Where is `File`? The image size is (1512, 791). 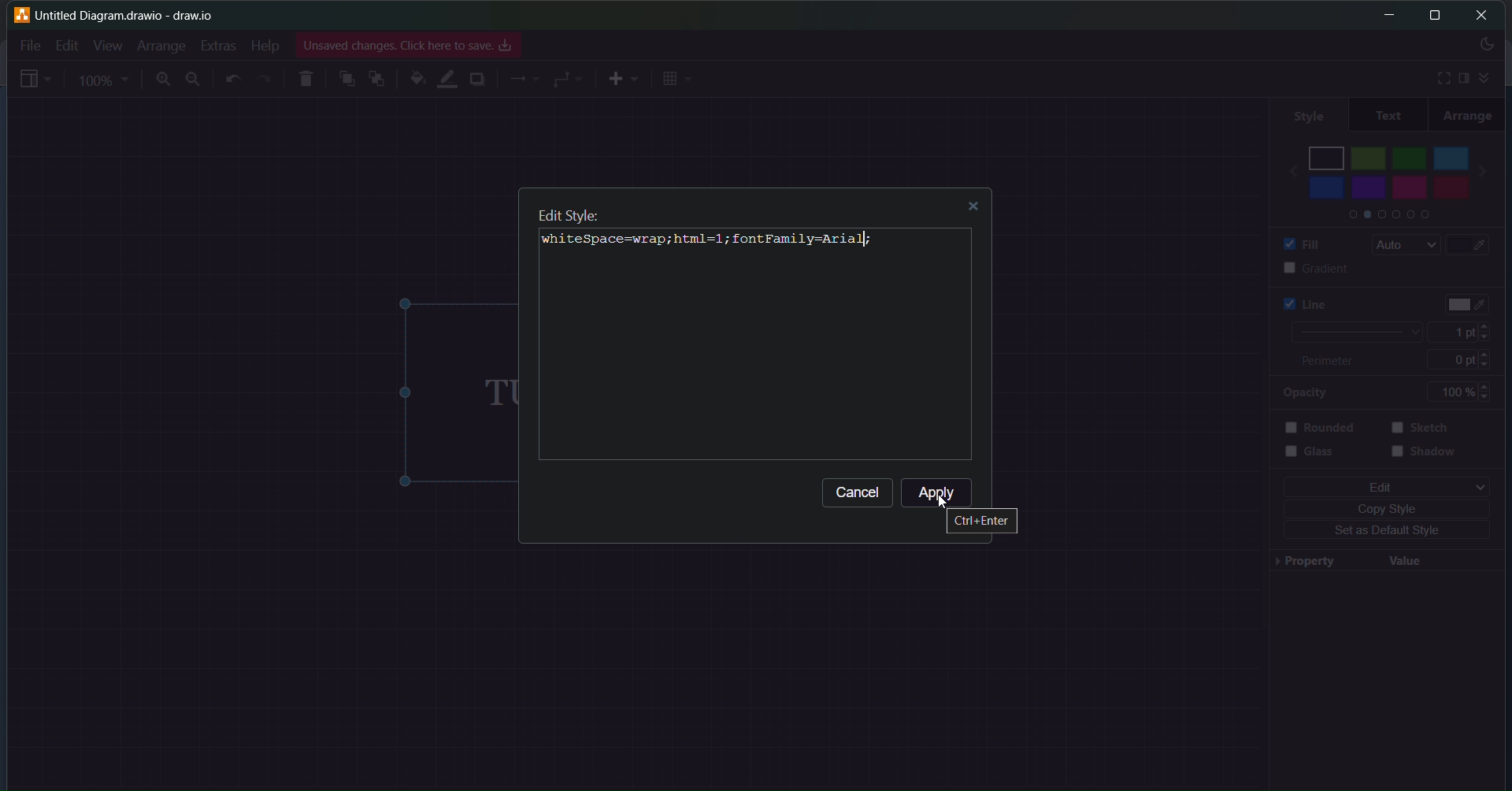 File is located at coordinates (30, 43).